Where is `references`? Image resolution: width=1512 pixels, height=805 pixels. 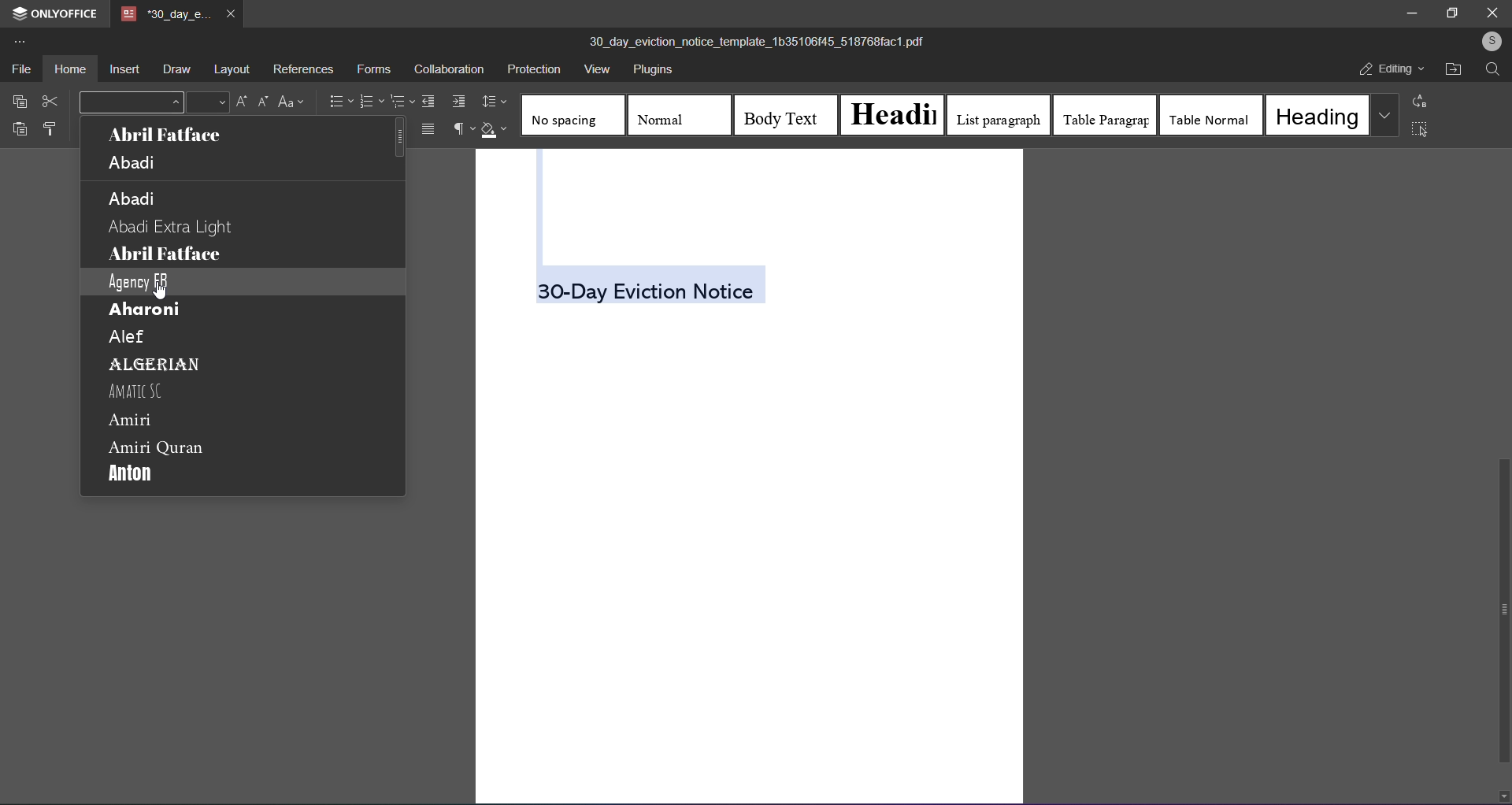 references is located at coordinates (303, 70).